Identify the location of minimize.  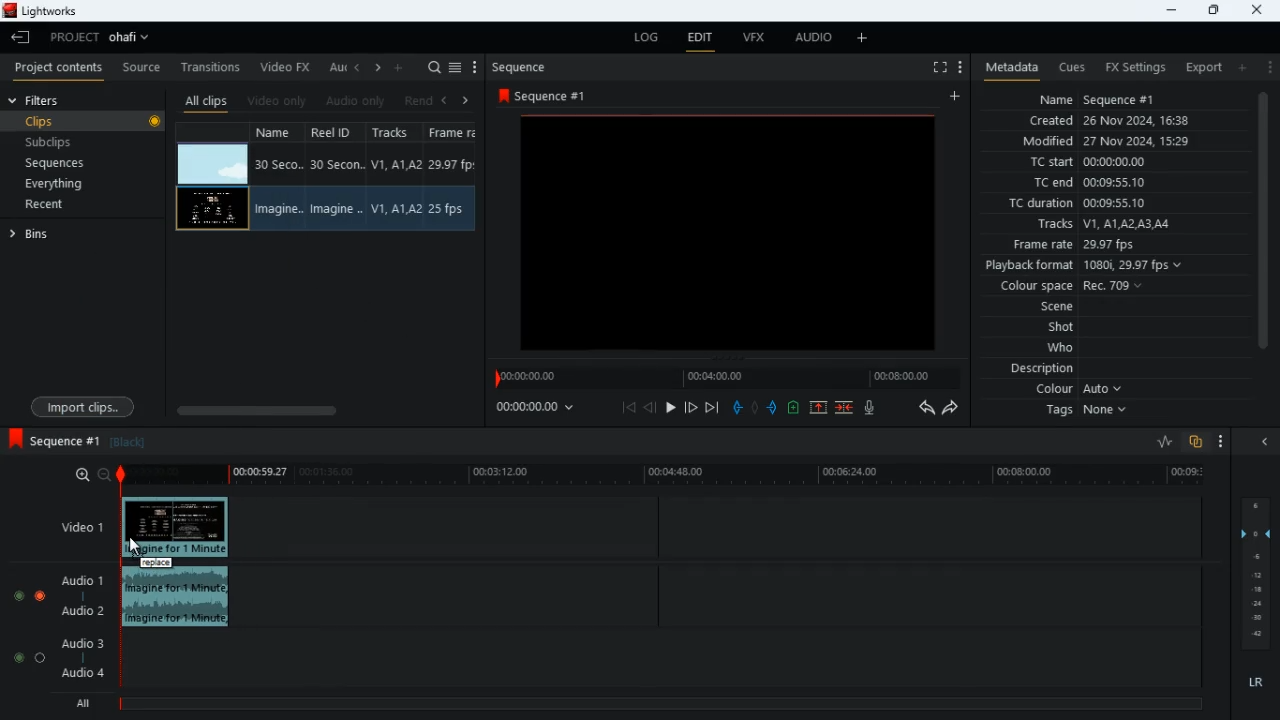
(1168, 10).